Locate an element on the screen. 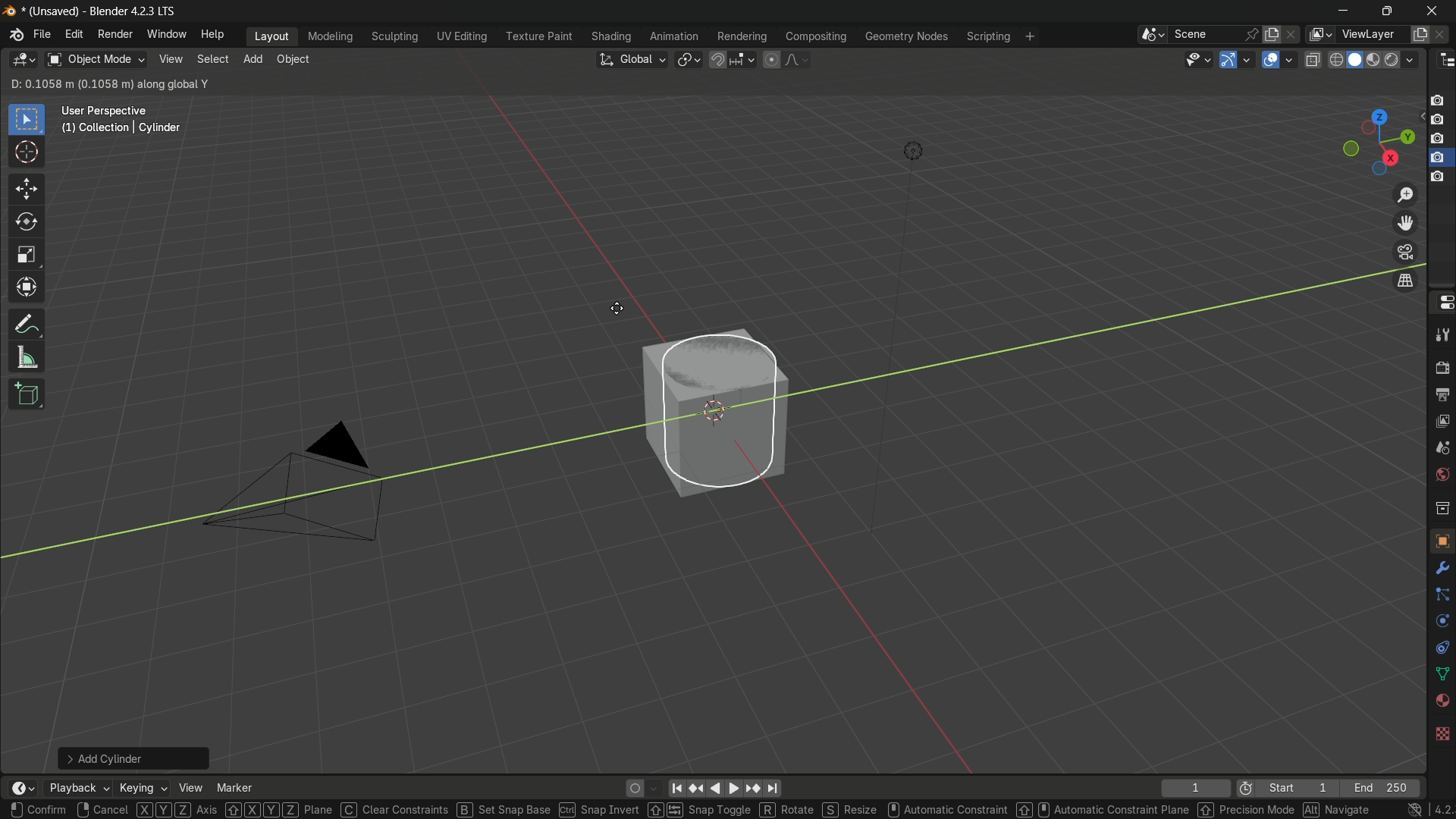  move view layer is located at coordinates (1406, 224).